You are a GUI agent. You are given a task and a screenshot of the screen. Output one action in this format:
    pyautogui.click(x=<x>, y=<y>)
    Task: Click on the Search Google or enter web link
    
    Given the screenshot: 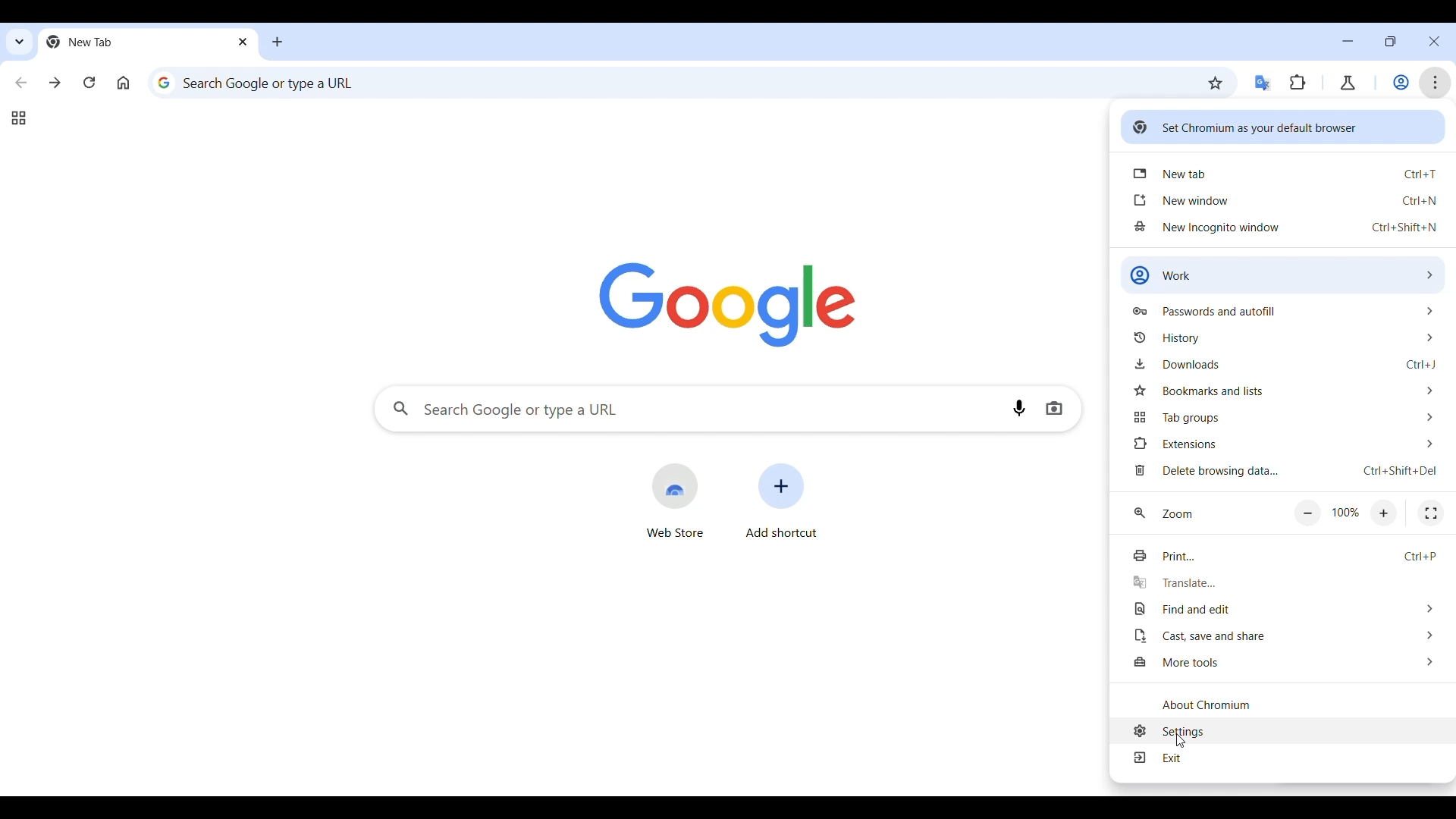 What is the action you would take?
    pyautogui.click(x=687, y=409)
    